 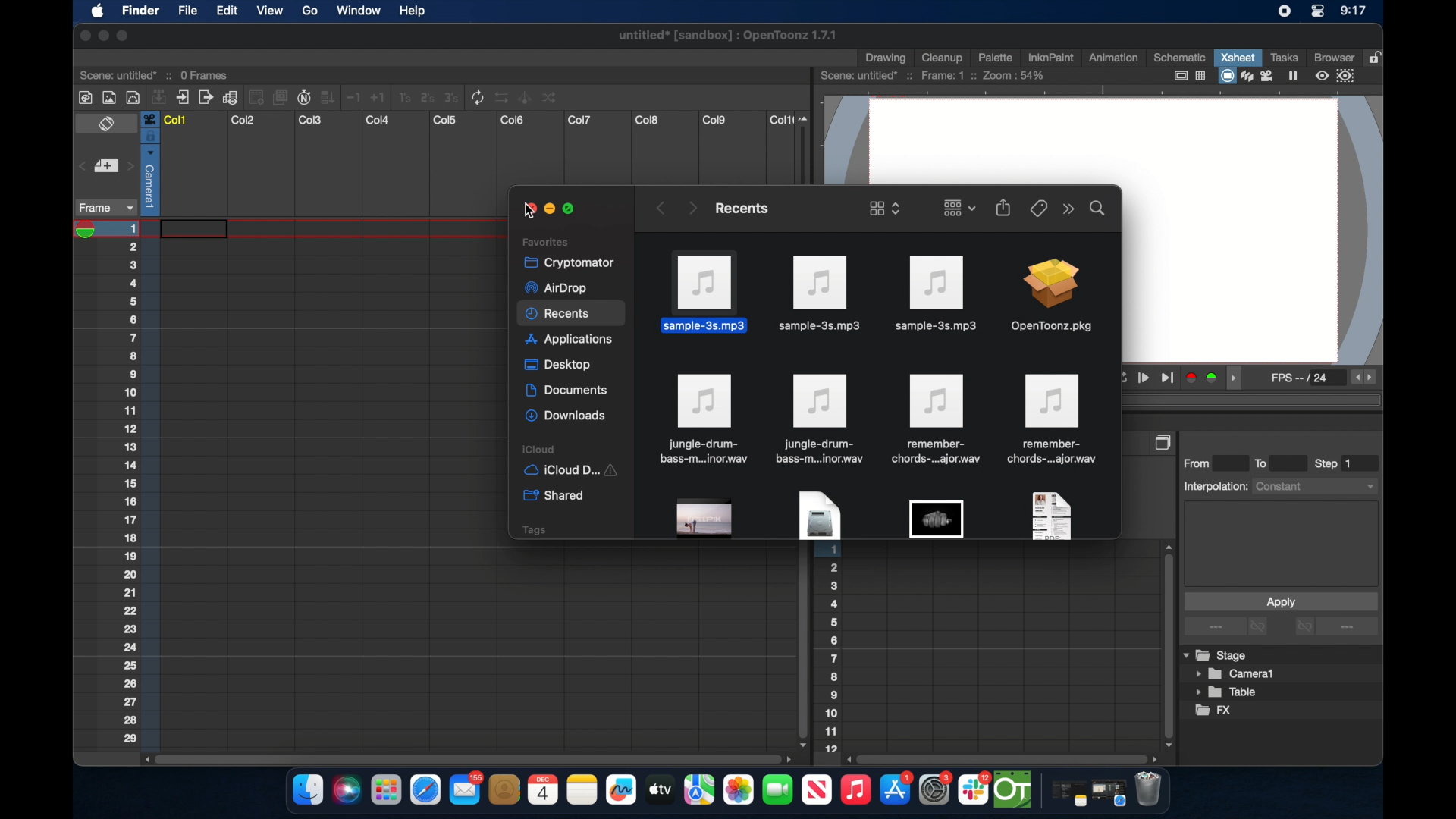 I want to click on settings, so click(x=937, y=789).